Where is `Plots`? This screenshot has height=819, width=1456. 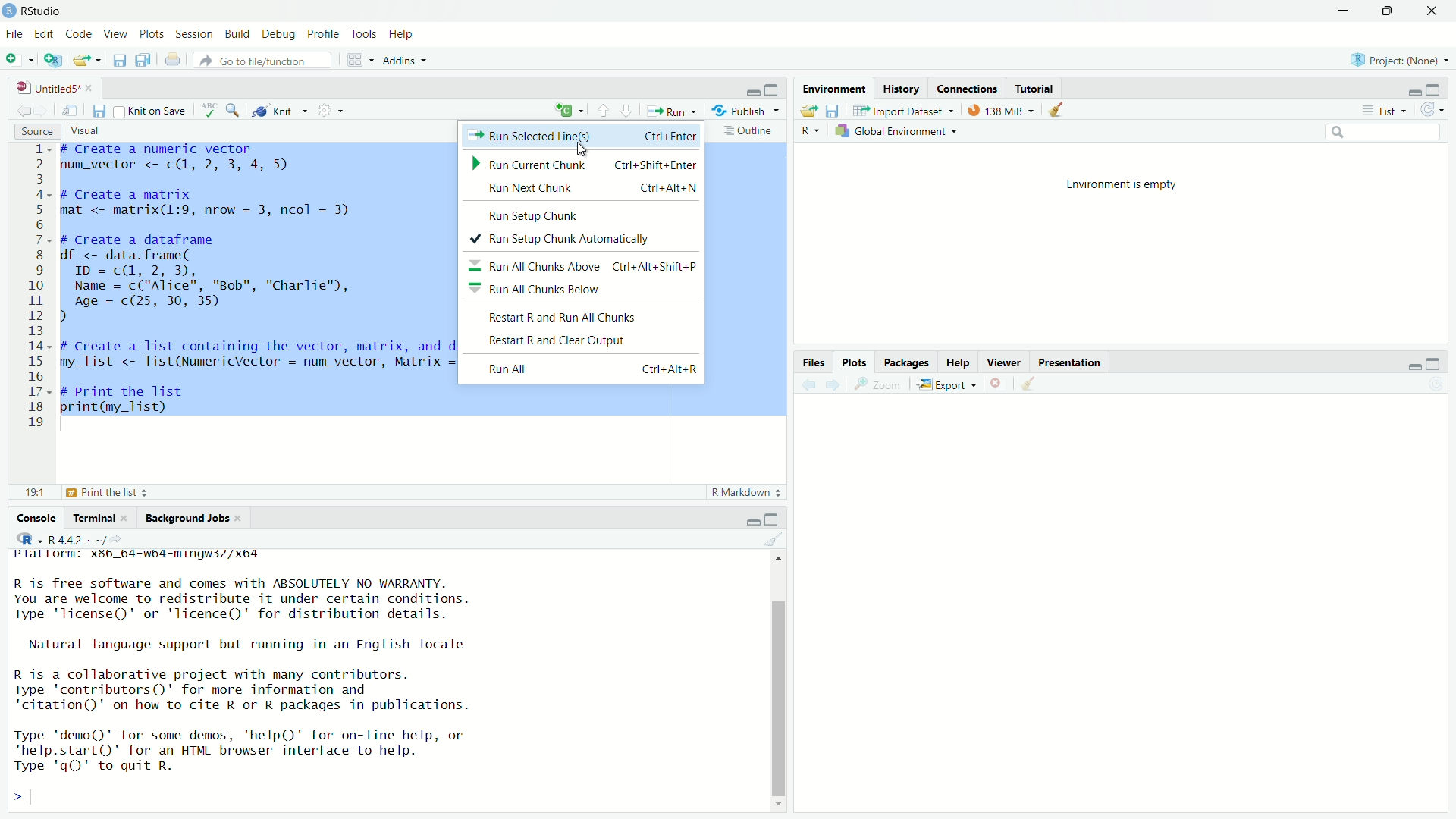 Plots is located at coordinates (152, 35).